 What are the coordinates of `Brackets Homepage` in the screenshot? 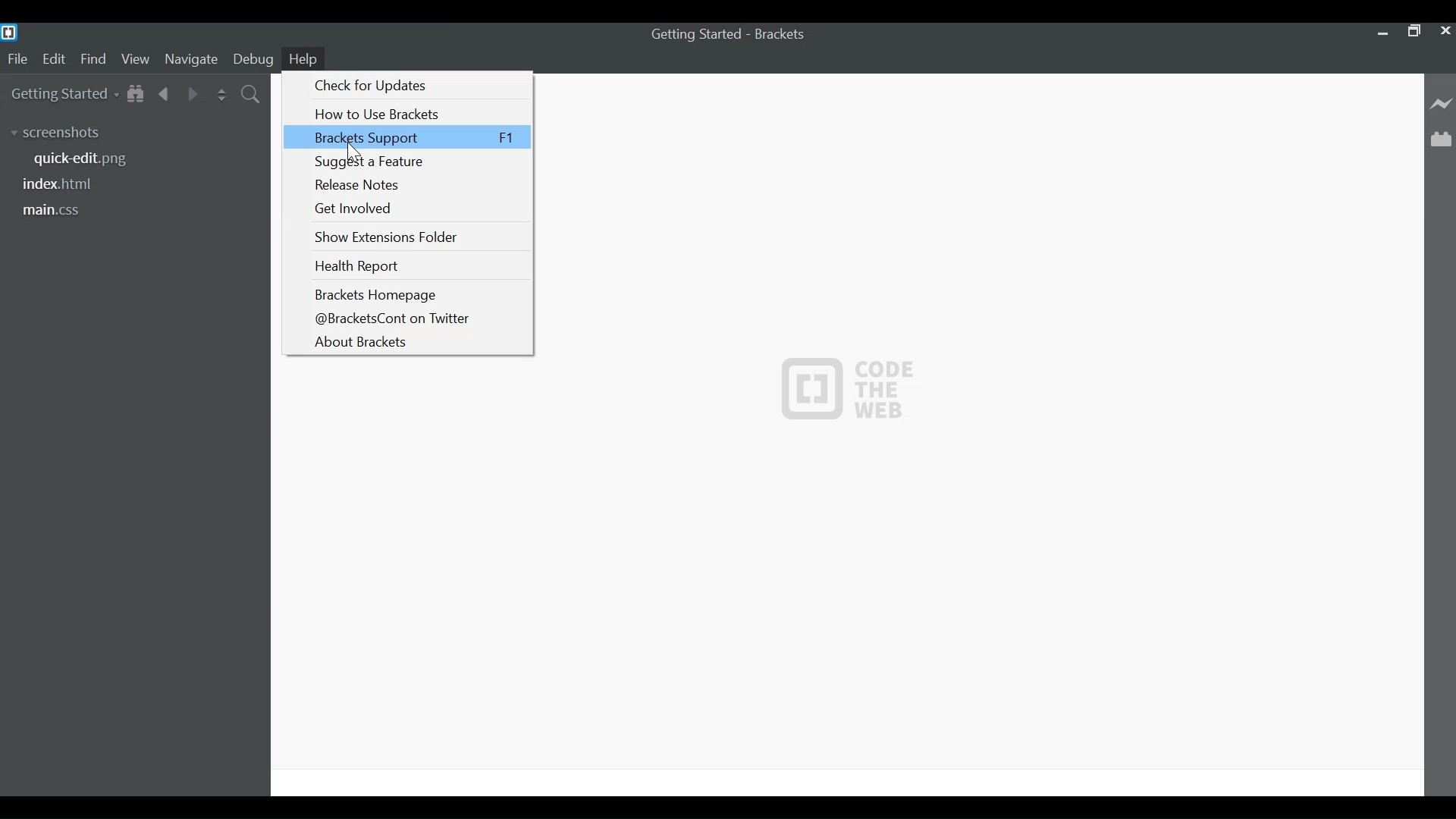 It's located at (415, 295).